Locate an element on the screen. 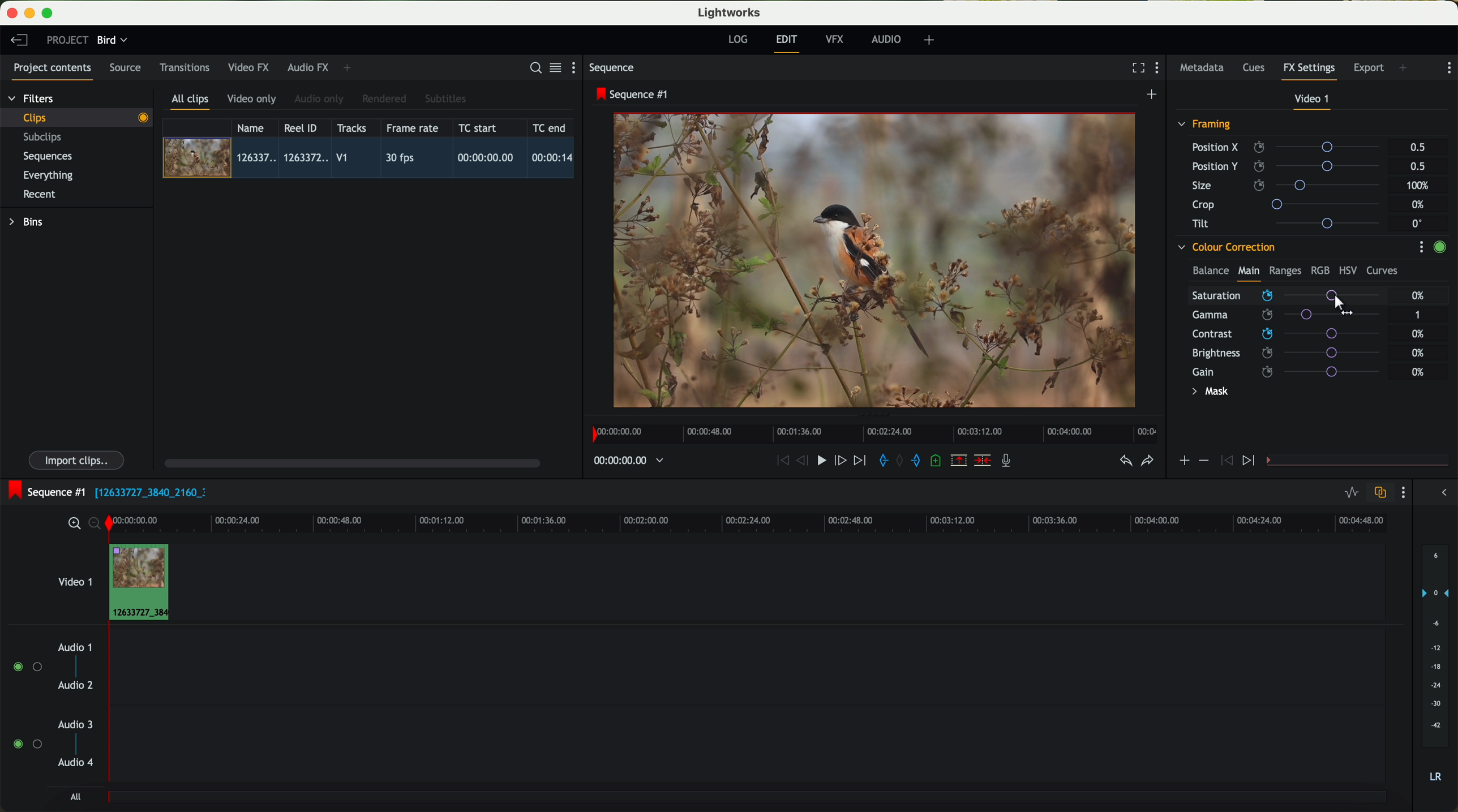  redo is located at coordinates (1147, 462).